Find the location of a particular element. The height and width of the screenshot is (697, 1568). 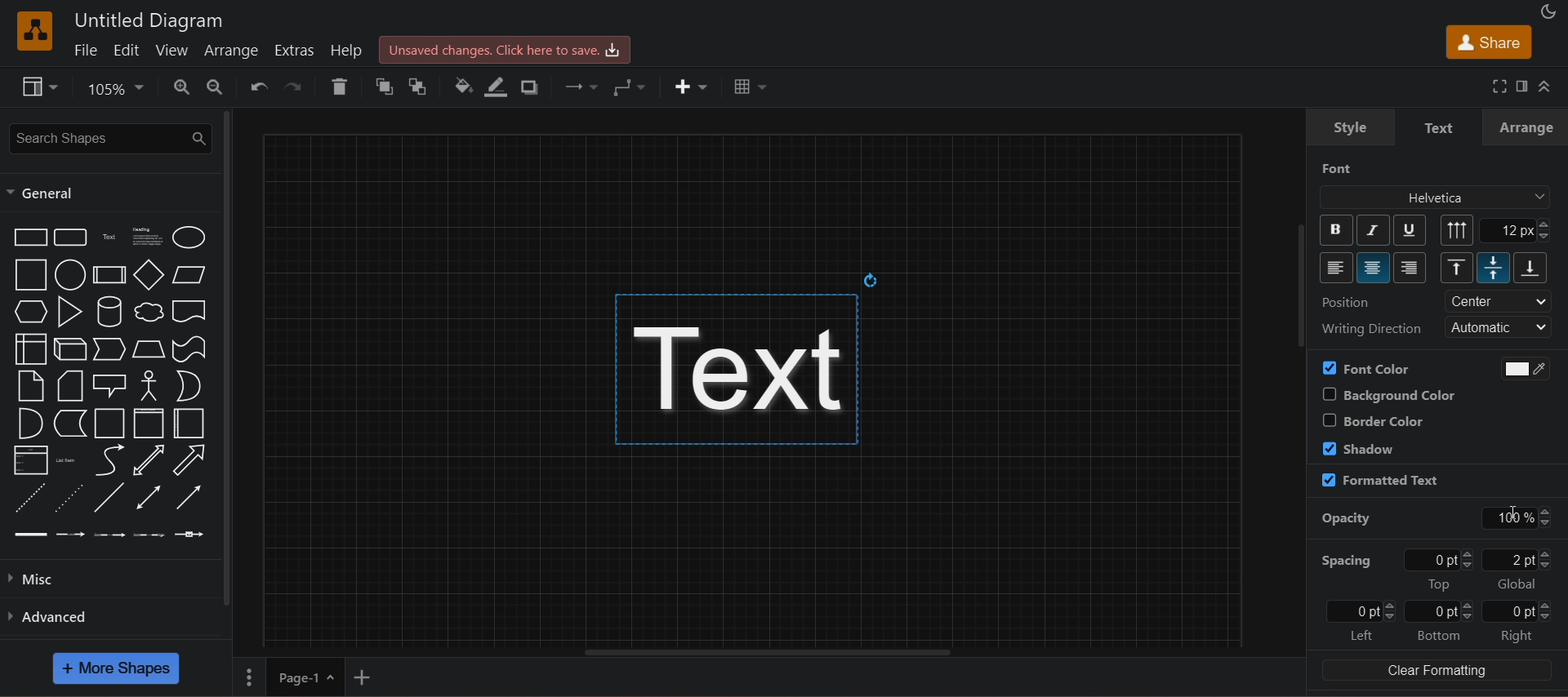

link is located at coordinates (29, 535).